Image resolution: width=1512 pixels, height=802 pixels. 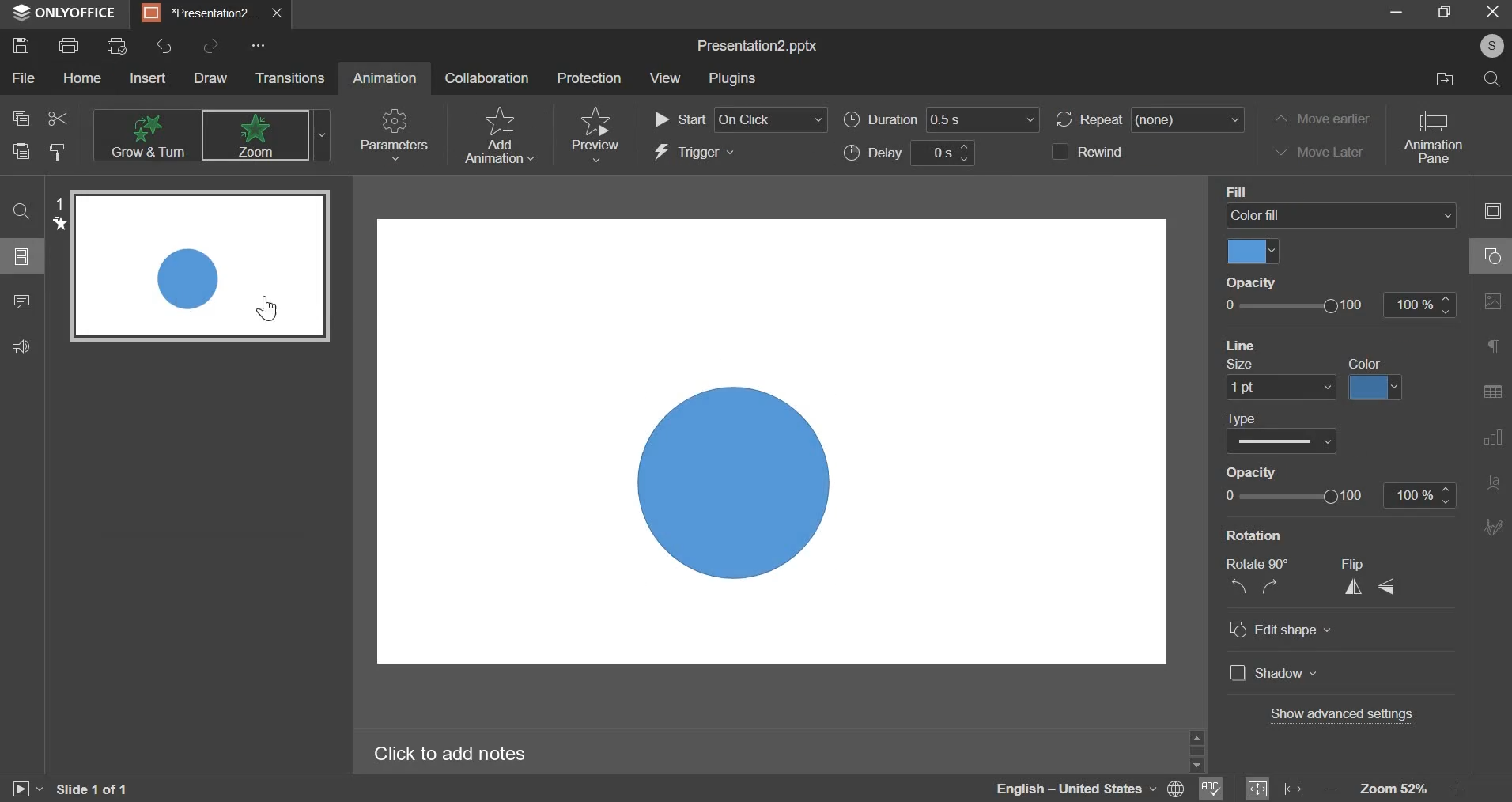 What do you see at coordinates (83, 81) in the screenshot?
I see `Hol` at bounding box center [83, 81].